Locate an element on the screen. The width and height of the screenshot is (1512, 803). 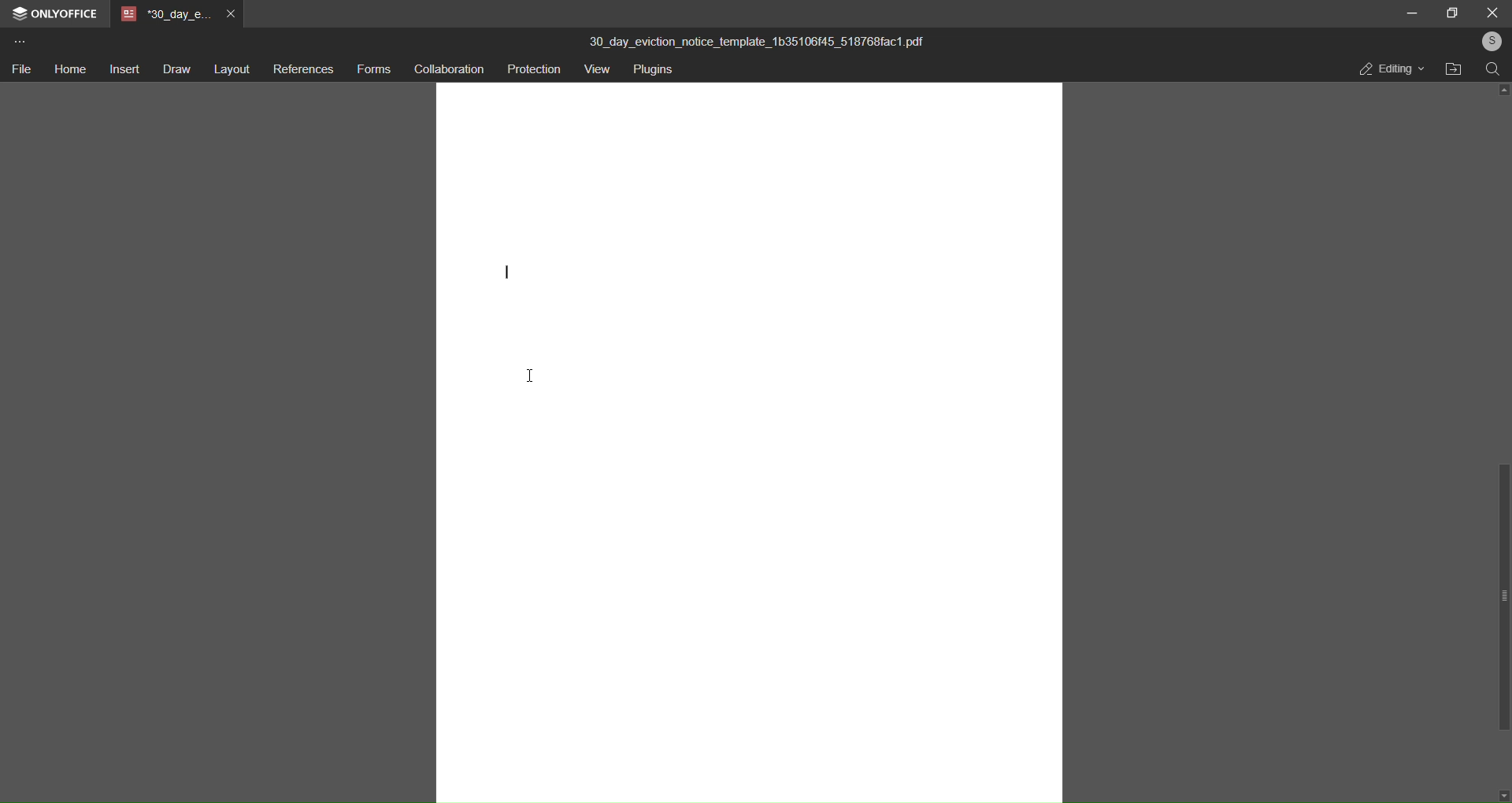
insert is located at coordinates (124, 69).